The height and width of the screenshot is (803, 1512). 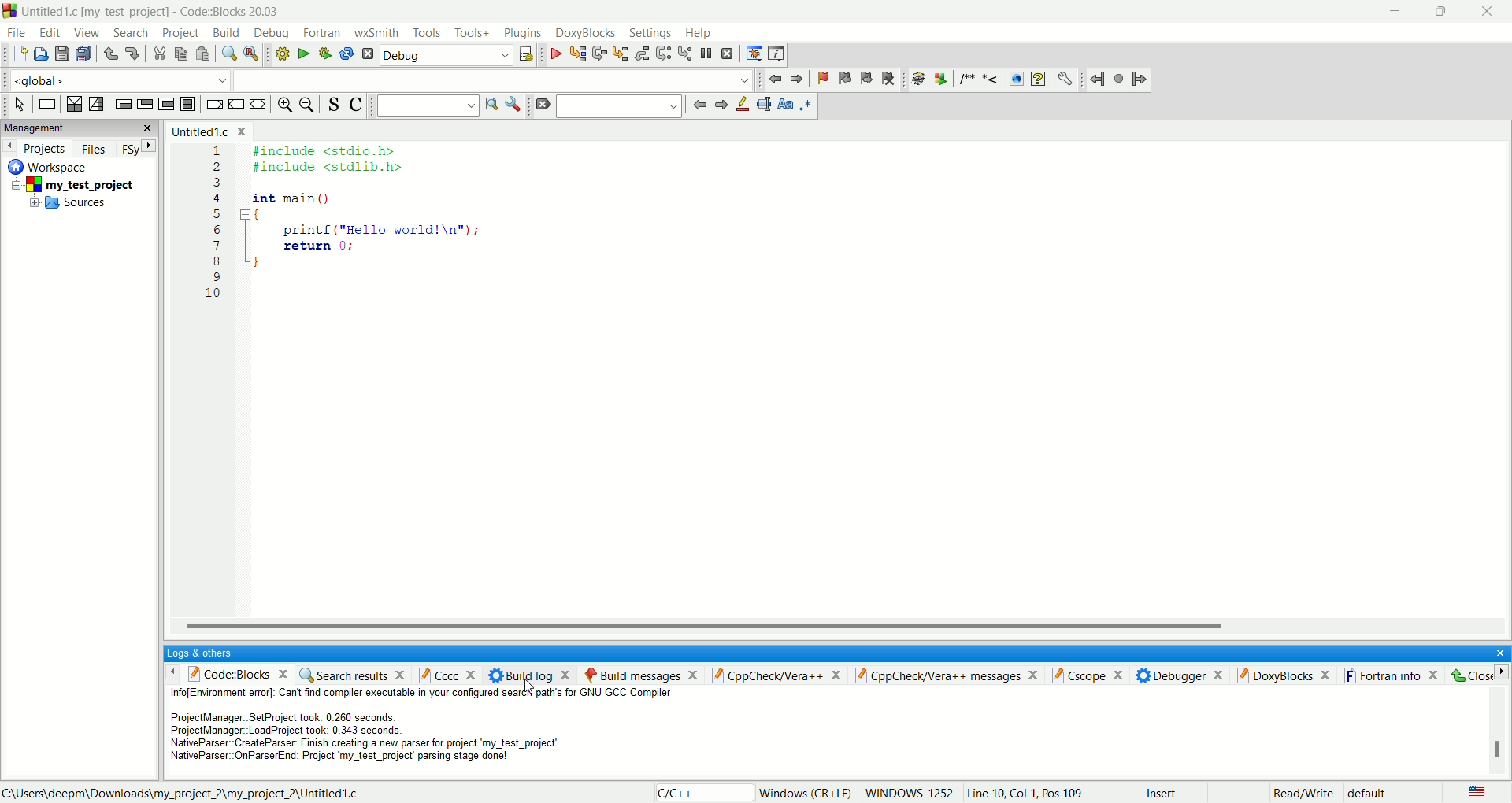 I want to click on next instruction, so click(x=664, y=53).